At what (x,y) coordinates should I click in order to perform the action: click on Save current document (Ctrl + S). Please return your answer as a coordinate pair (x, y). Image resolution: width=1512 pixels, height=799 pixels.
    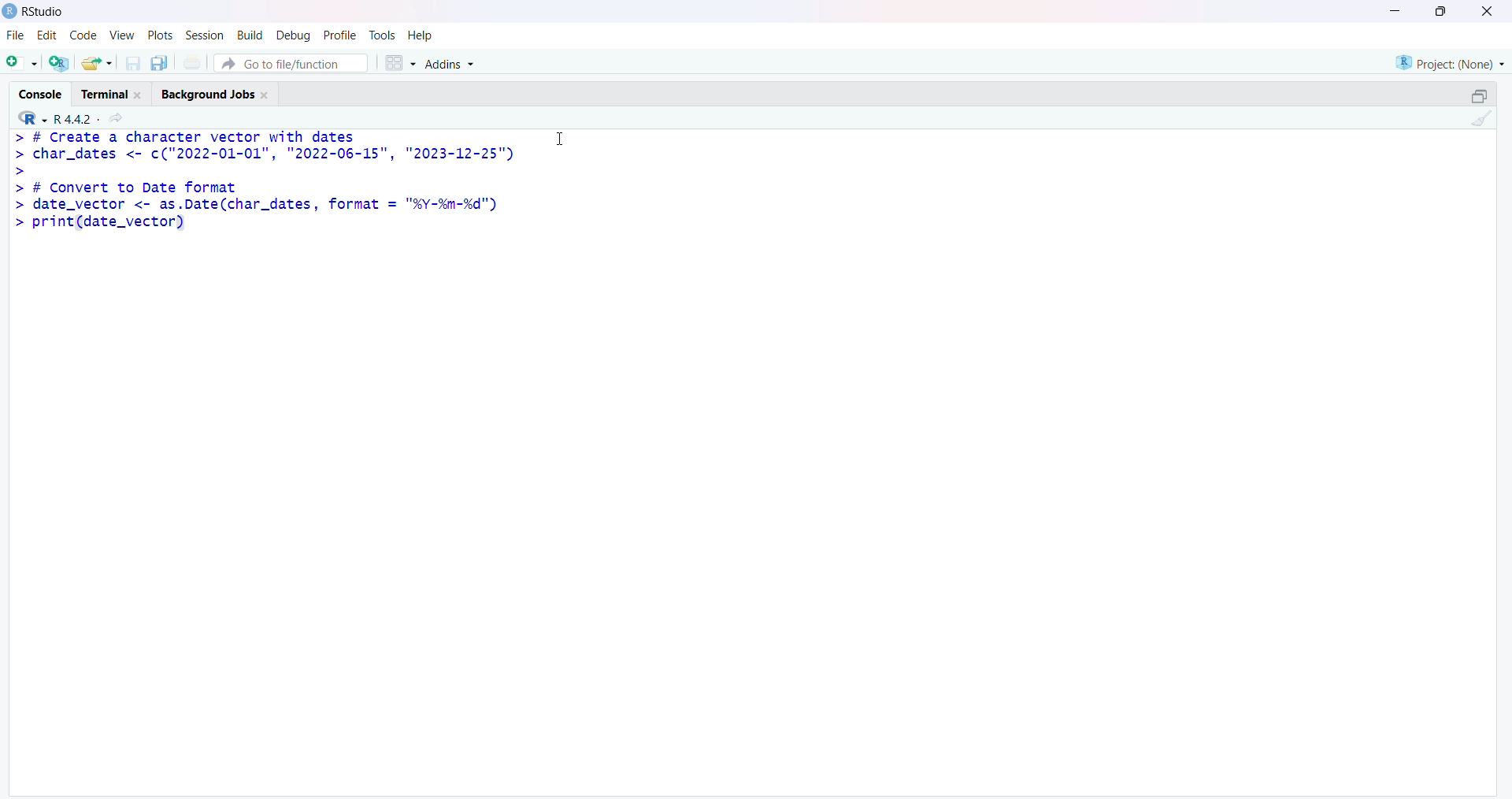
    Looking at the image, I should click on (136, 60).